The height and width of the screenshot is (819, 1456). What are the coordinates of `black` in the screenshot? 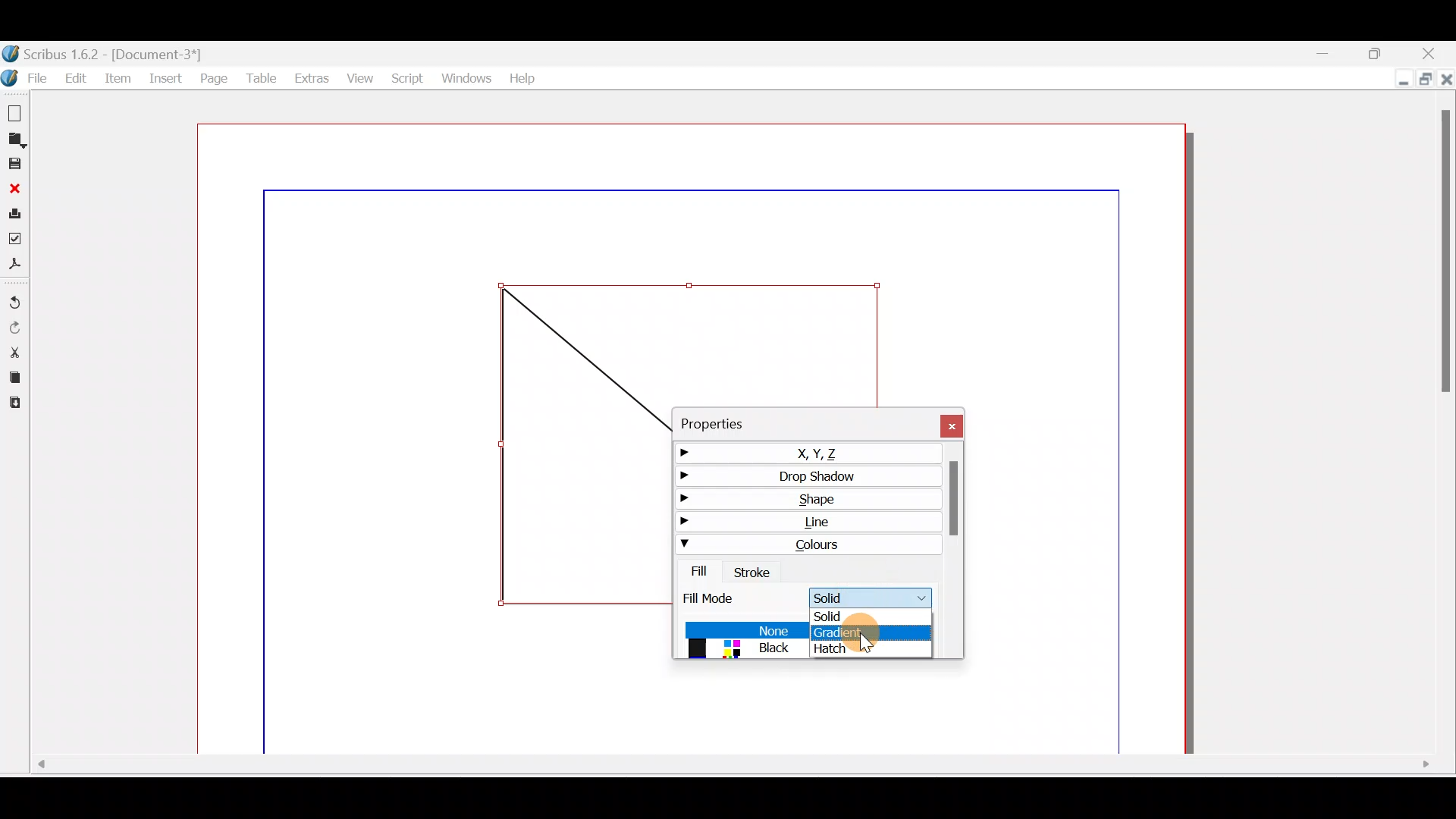 It's located at (697, 649).